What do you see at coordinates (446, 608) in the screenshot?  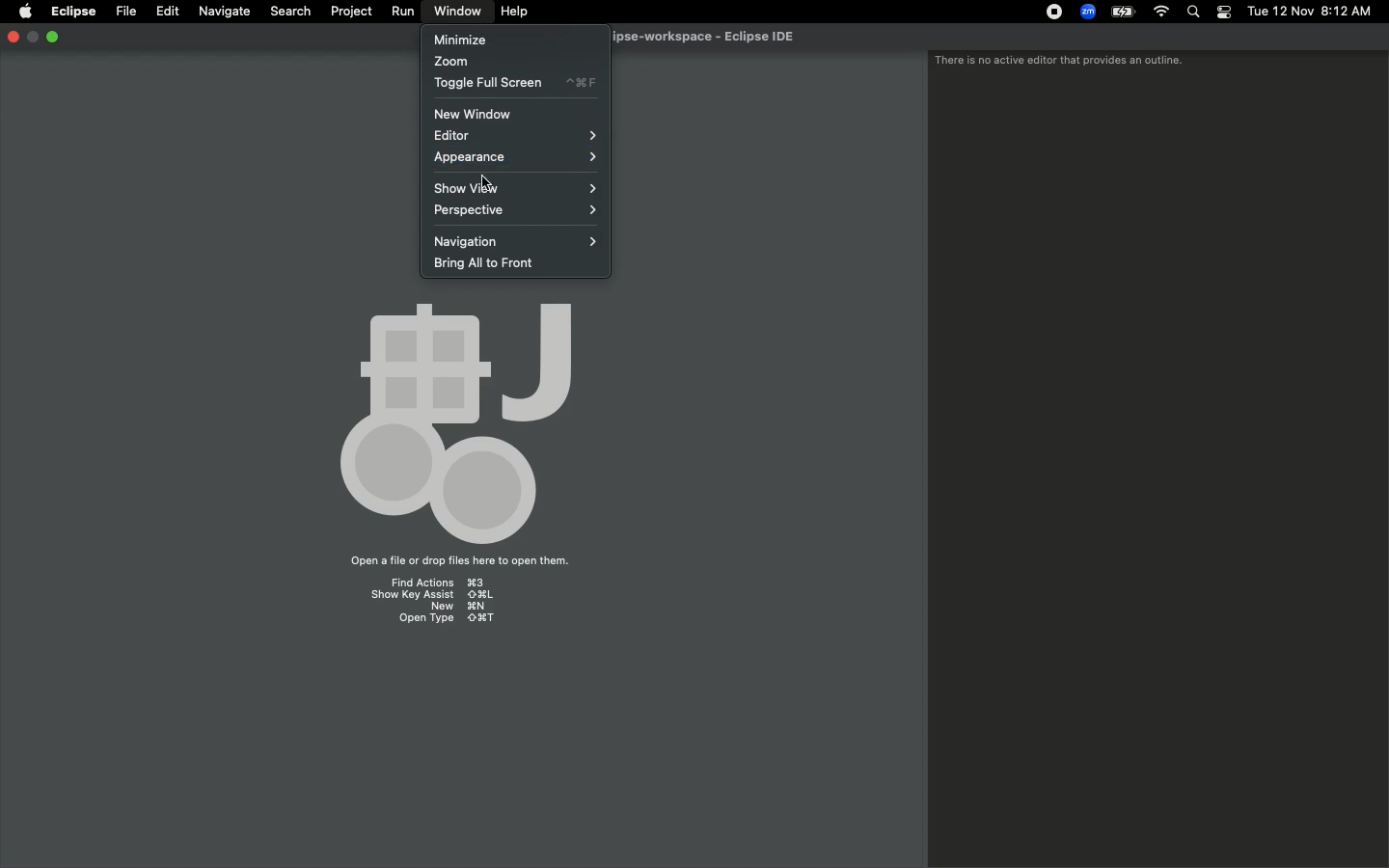 I see `New` at bounding box center [446, 608].